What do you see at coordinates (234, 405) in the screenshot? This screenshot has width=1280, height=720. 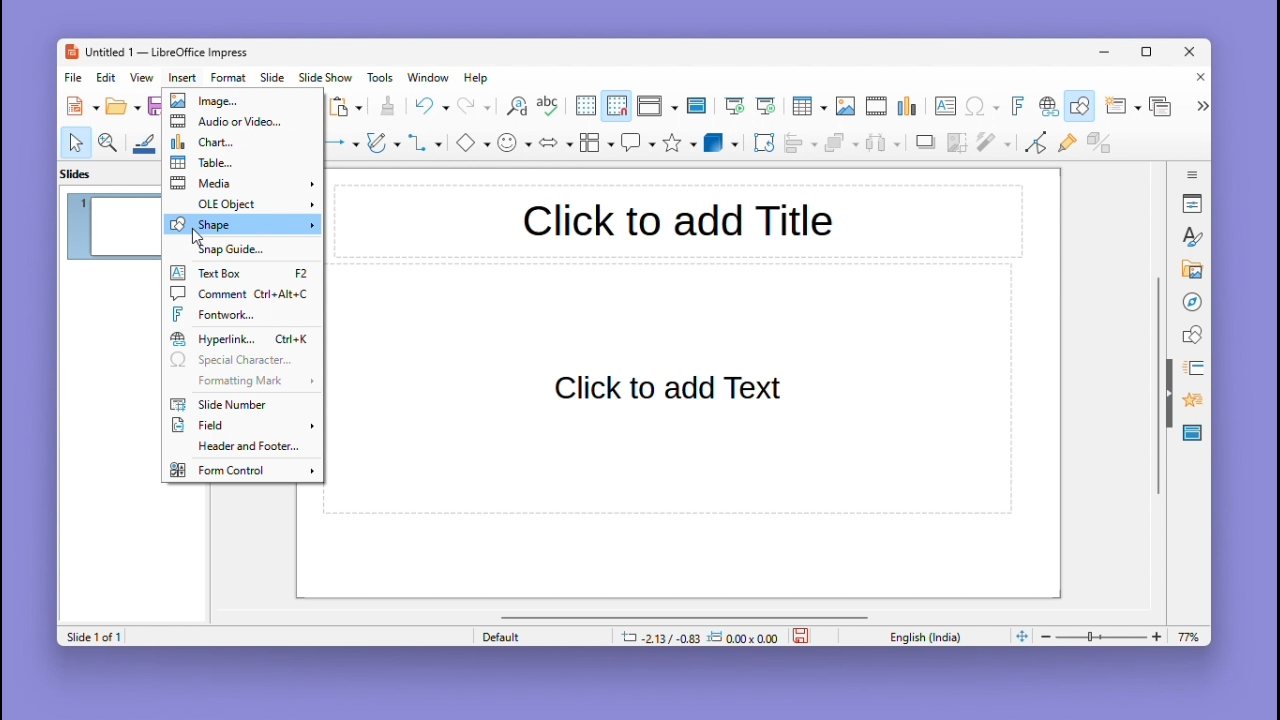 I see `Slide number` at bounding box center [234, 405].